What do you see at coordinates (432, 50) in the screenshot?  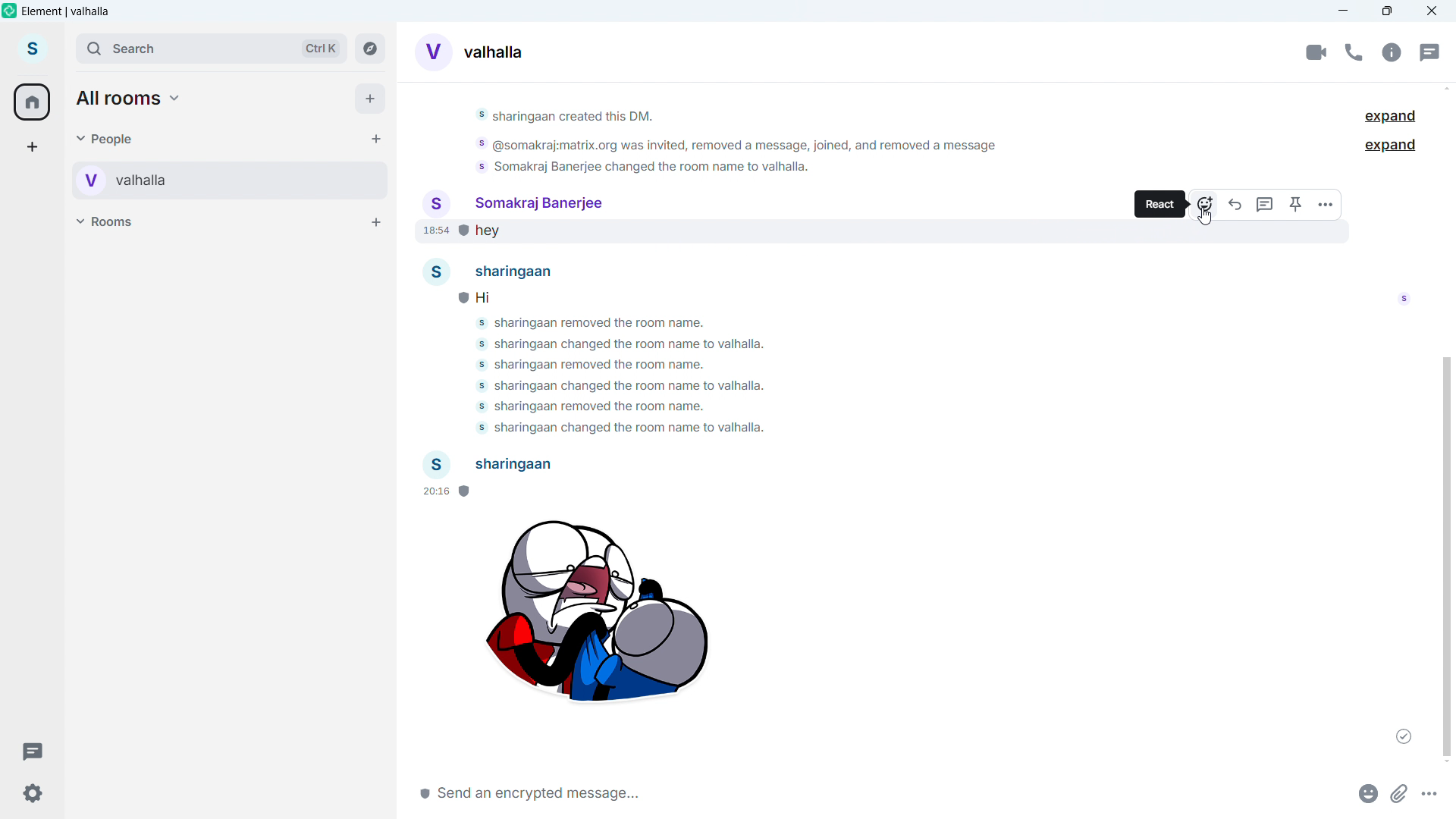 I see `Converses display picture` at bounding box center [432, 50].